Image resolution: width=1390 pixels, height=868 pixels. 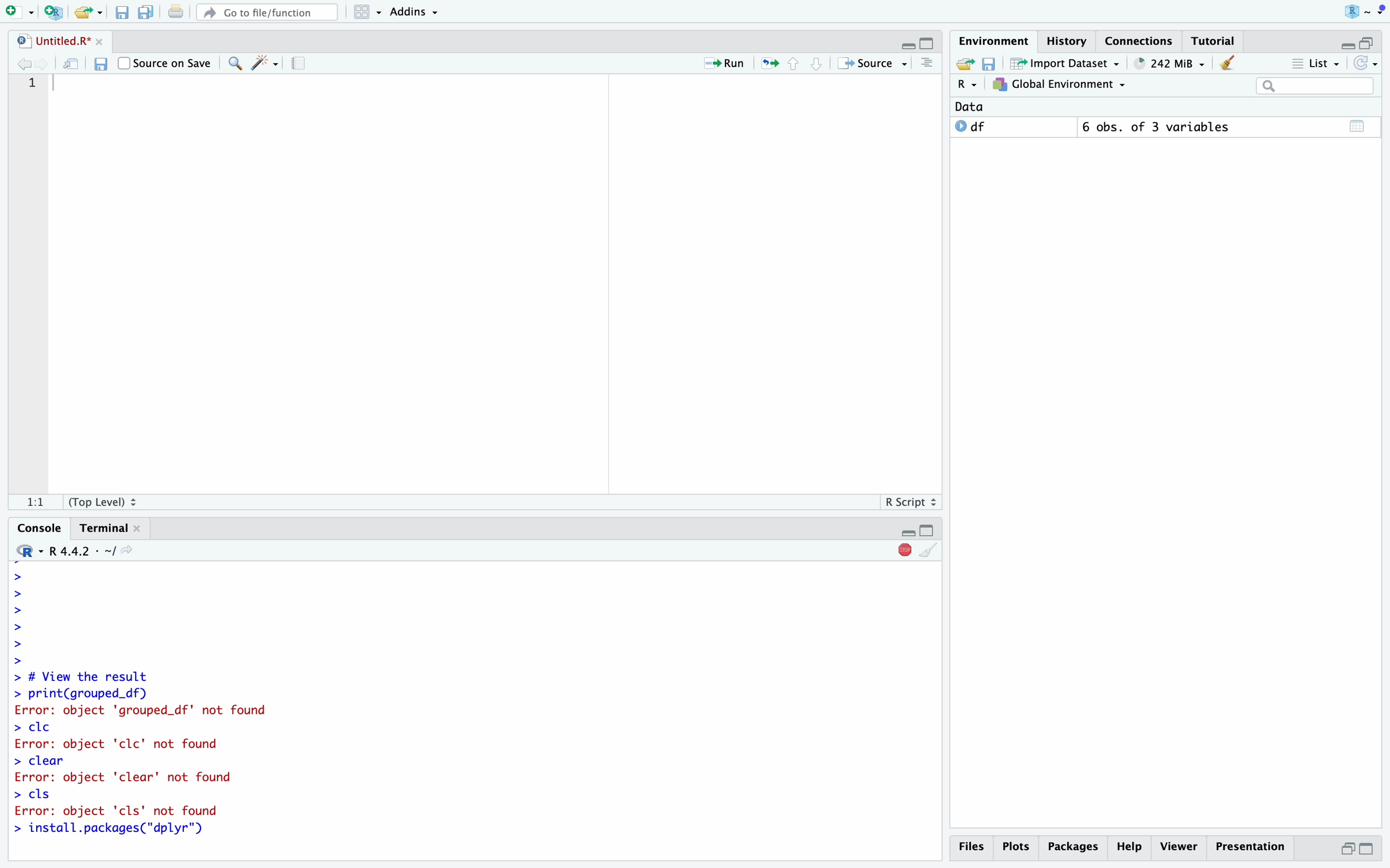 What do you see at coordinates (1347, 42) in the screenshot?
I see `Hide` at bounding box center [1347, 42].